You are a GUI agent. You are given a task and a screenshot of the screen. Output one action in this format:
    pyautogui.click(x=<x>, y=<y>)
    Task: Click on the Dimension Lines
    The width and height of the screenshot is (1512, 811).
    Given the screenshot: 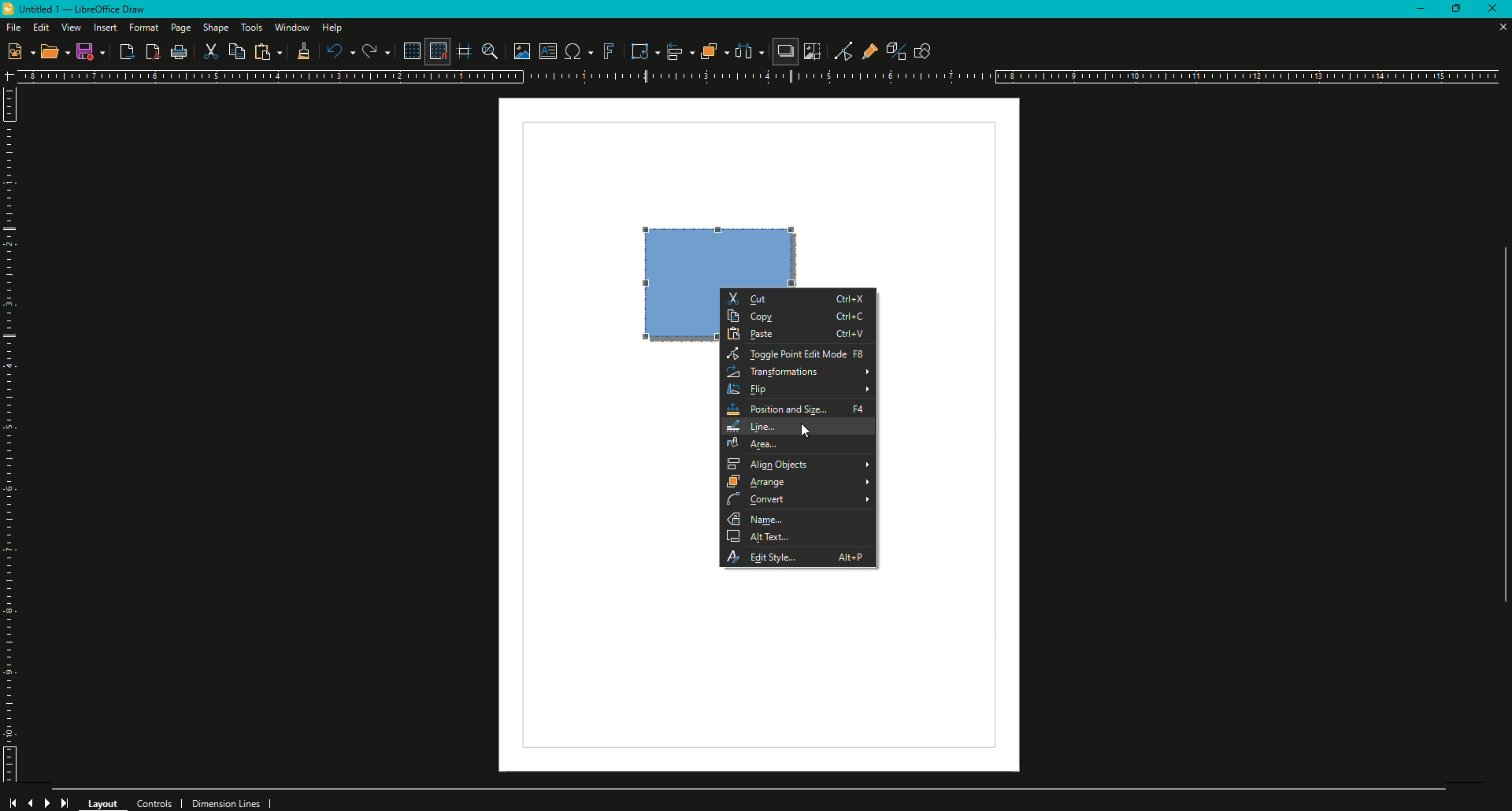 What is the action you would take?
    pyautogui.click(x=232, y=802)
    